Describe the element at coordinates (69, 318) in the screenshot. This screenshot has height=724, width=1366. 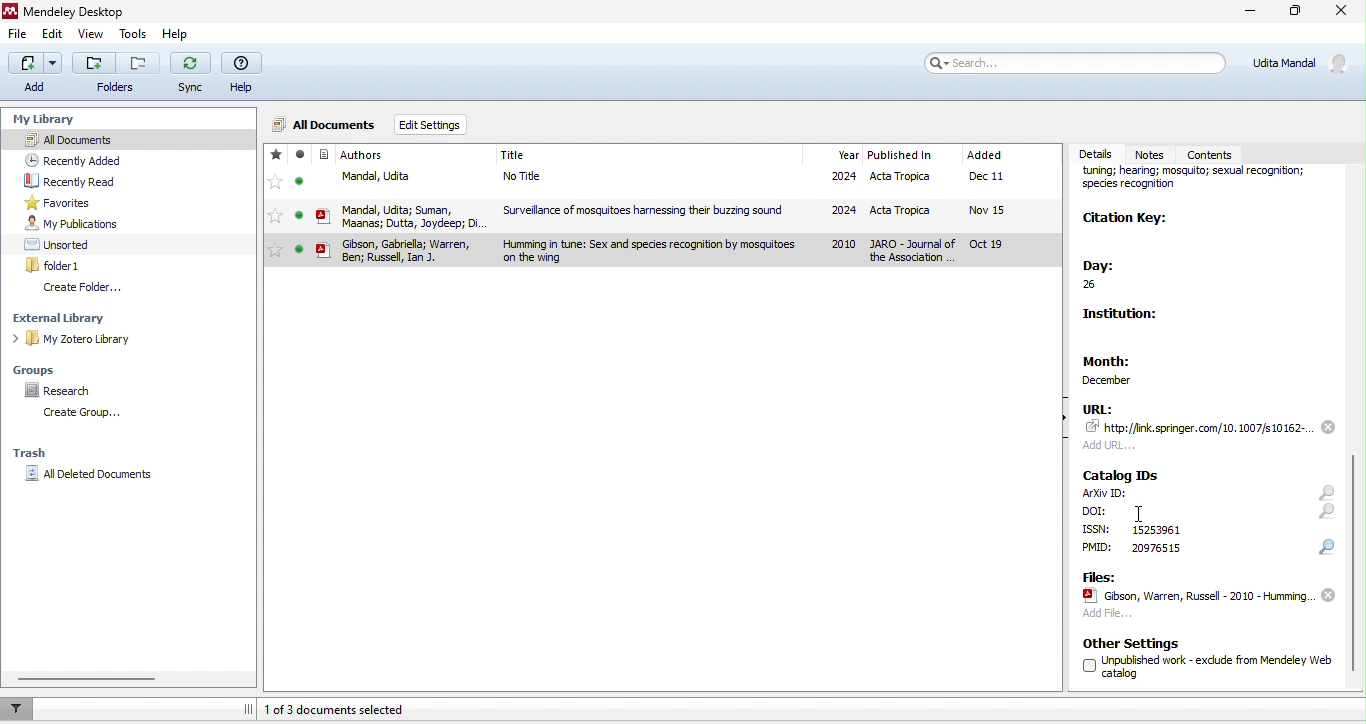
I see `external library` at that location.